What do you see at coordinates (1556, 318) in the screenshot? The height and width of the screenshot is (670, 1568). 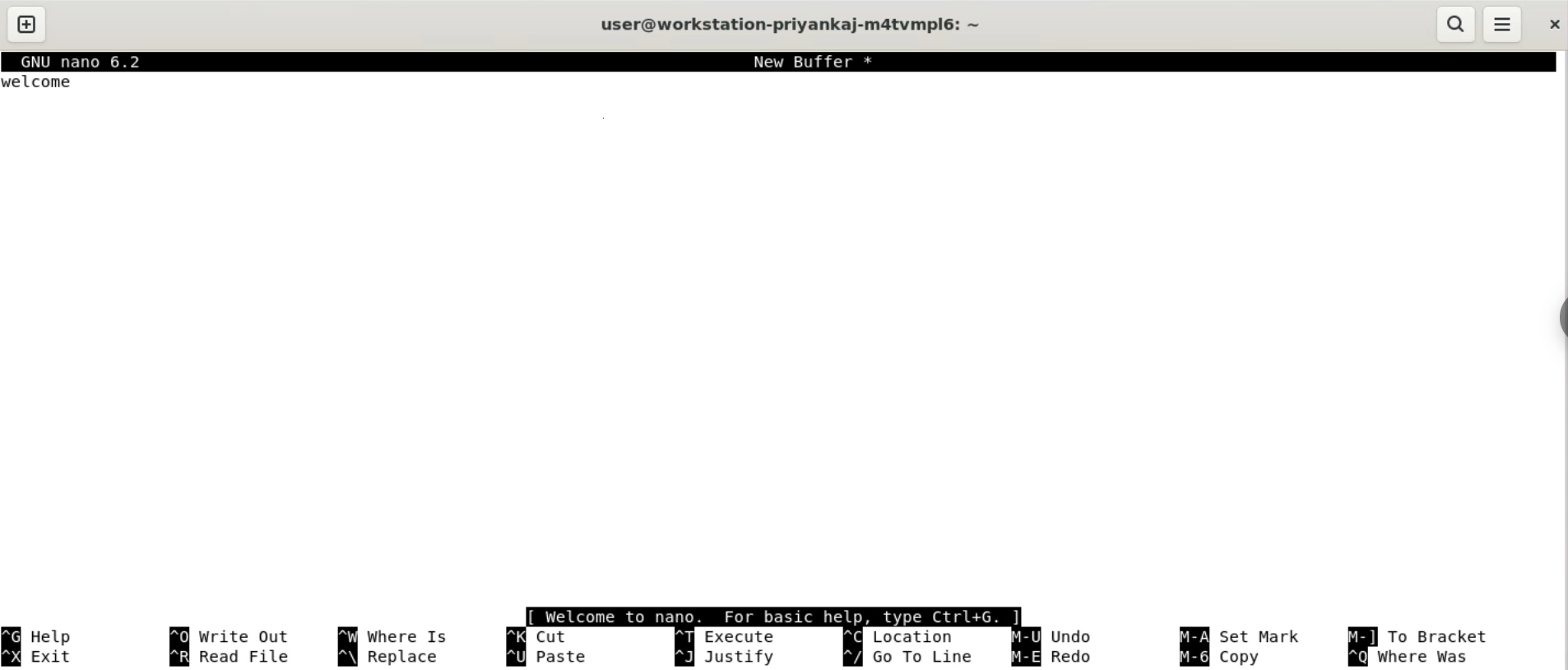 I see `sidebar` at bounding box center [1556, 318].